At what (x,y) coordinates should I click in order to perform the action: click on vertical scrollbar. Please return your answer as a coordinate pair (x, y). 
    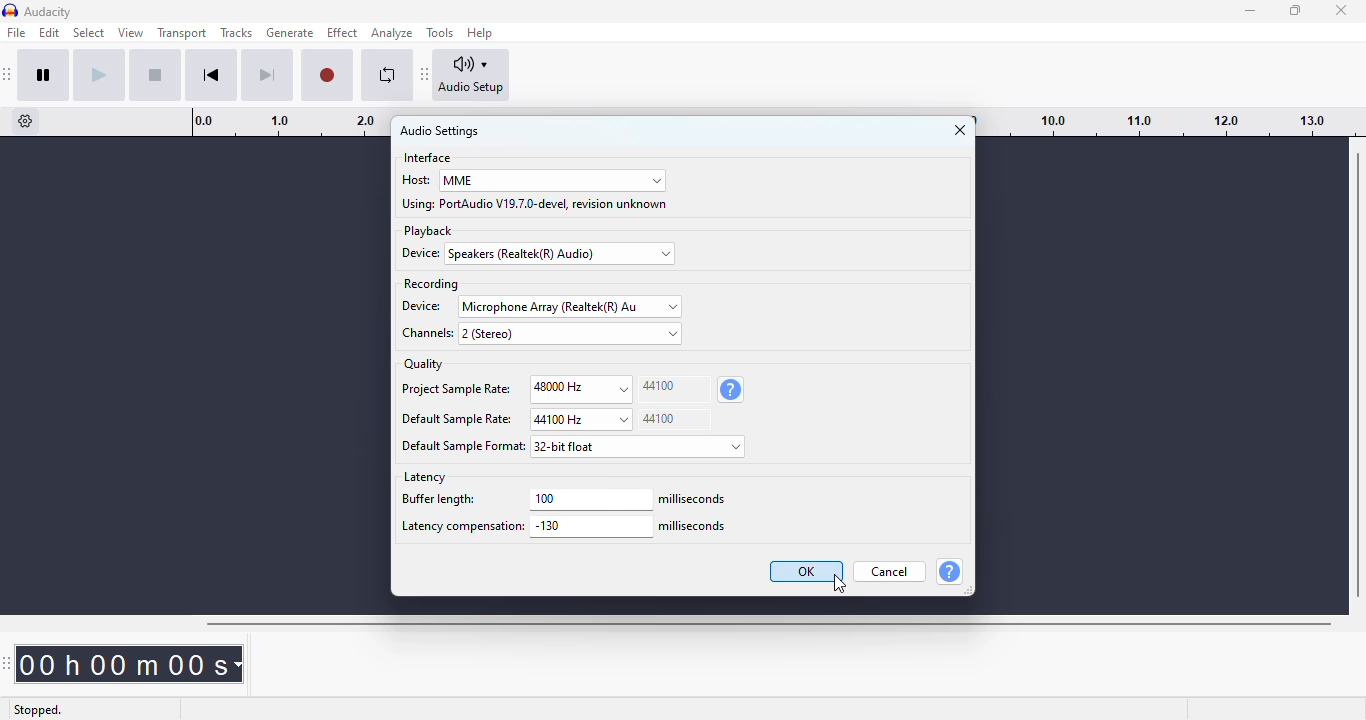
    Looking at the image, I should click on (1358, 374).